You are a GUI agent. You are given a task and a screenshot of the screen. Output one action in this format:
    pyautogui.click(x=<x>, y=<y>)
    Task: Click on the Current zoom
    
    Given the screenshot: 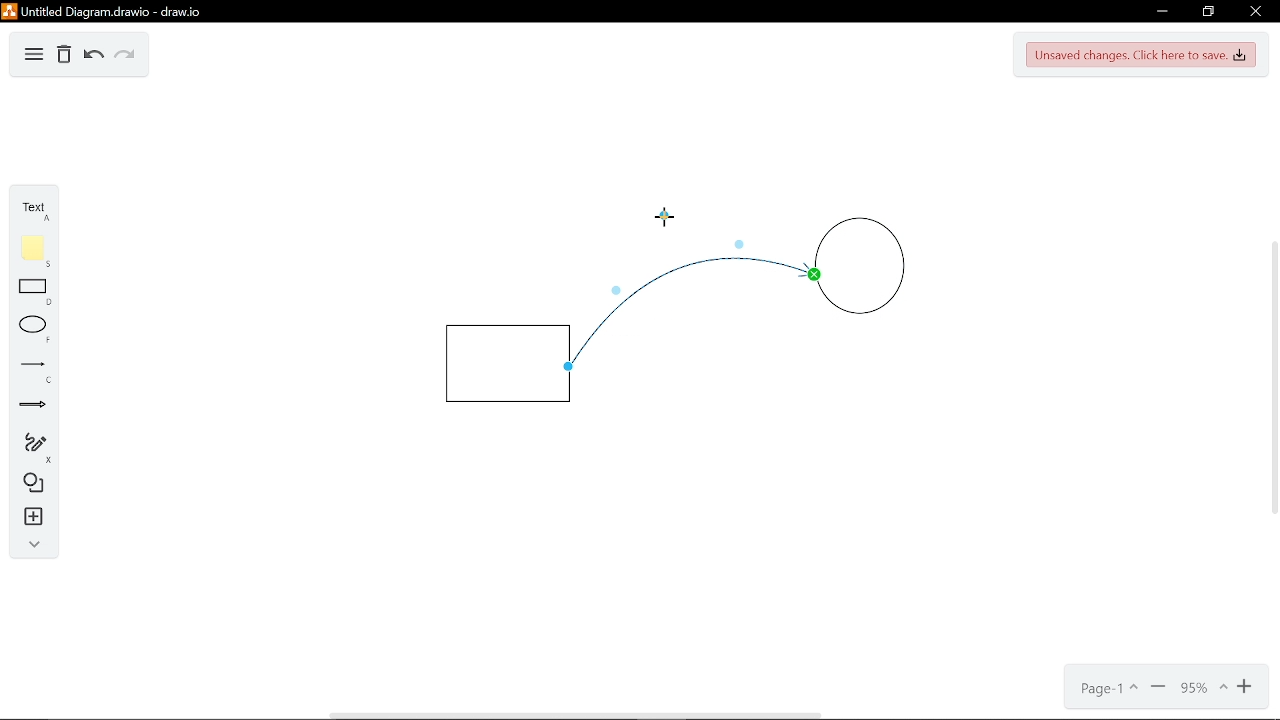 What is the action you would take?
    pyautogui.click(x=1202, y=688)
    